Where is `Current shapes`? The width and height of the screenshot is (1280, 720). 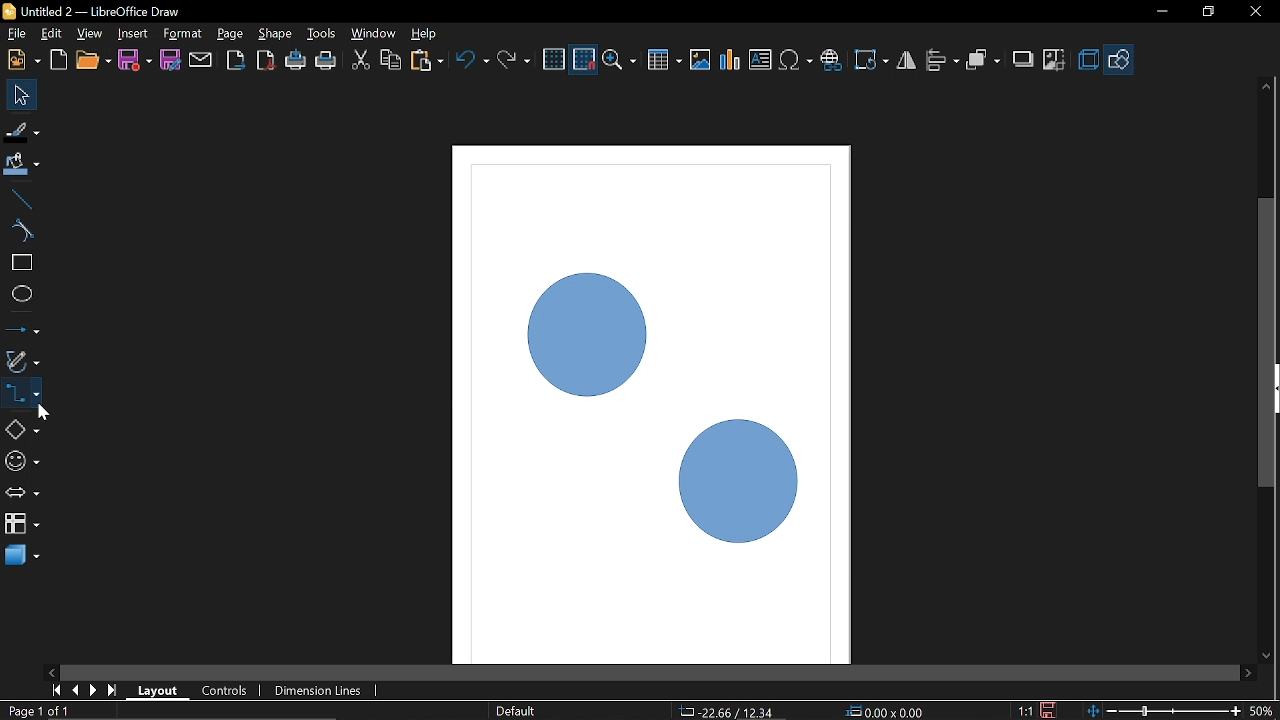
Current shapes is located at coordinates (654, 407).